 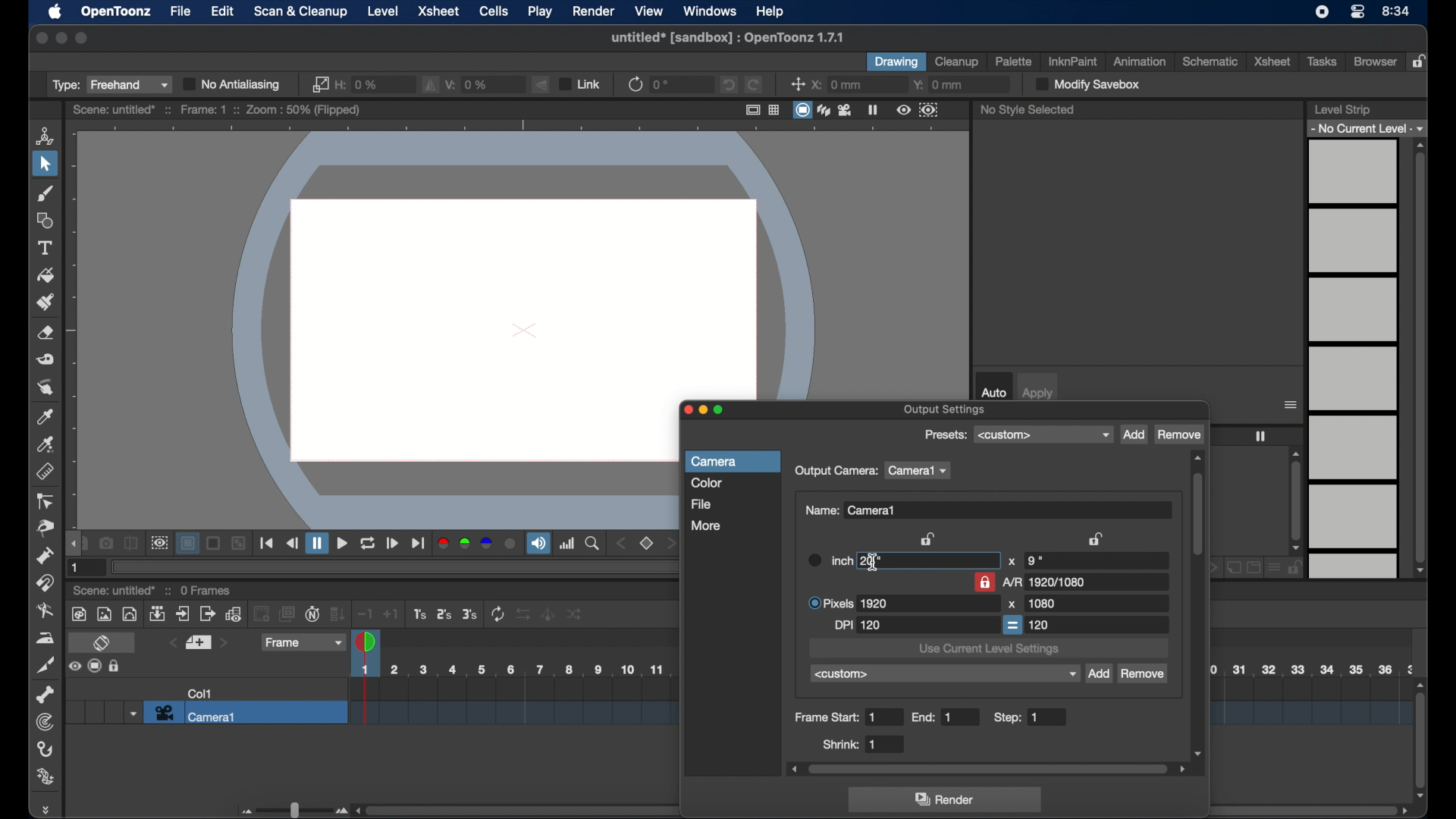 What do you see at coordinates (946, 410) in the screenshot?
I see `output settings` at bounding box center [946, 410].